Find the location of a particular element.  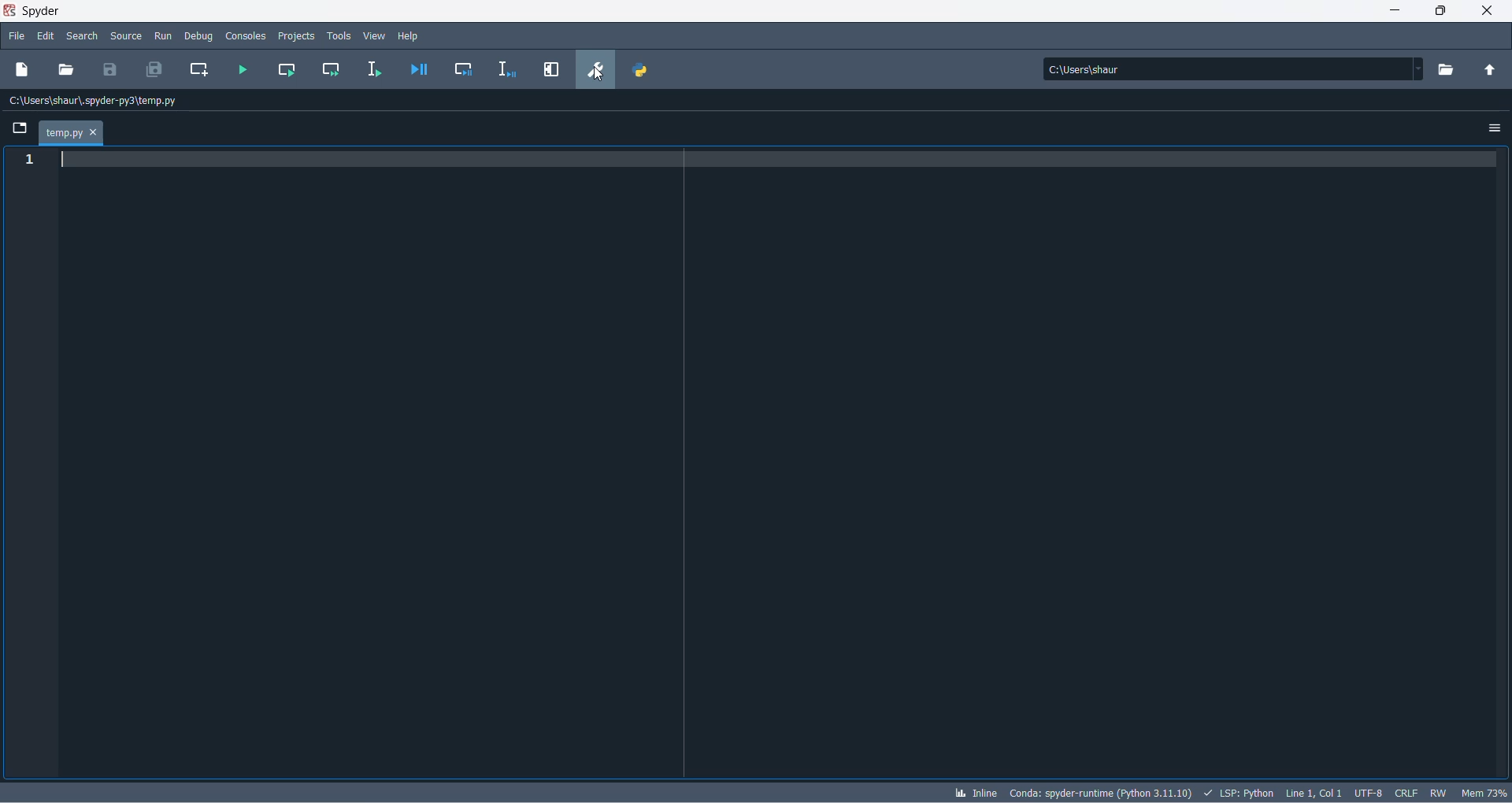

codepad is located at coordinates (780, 464).